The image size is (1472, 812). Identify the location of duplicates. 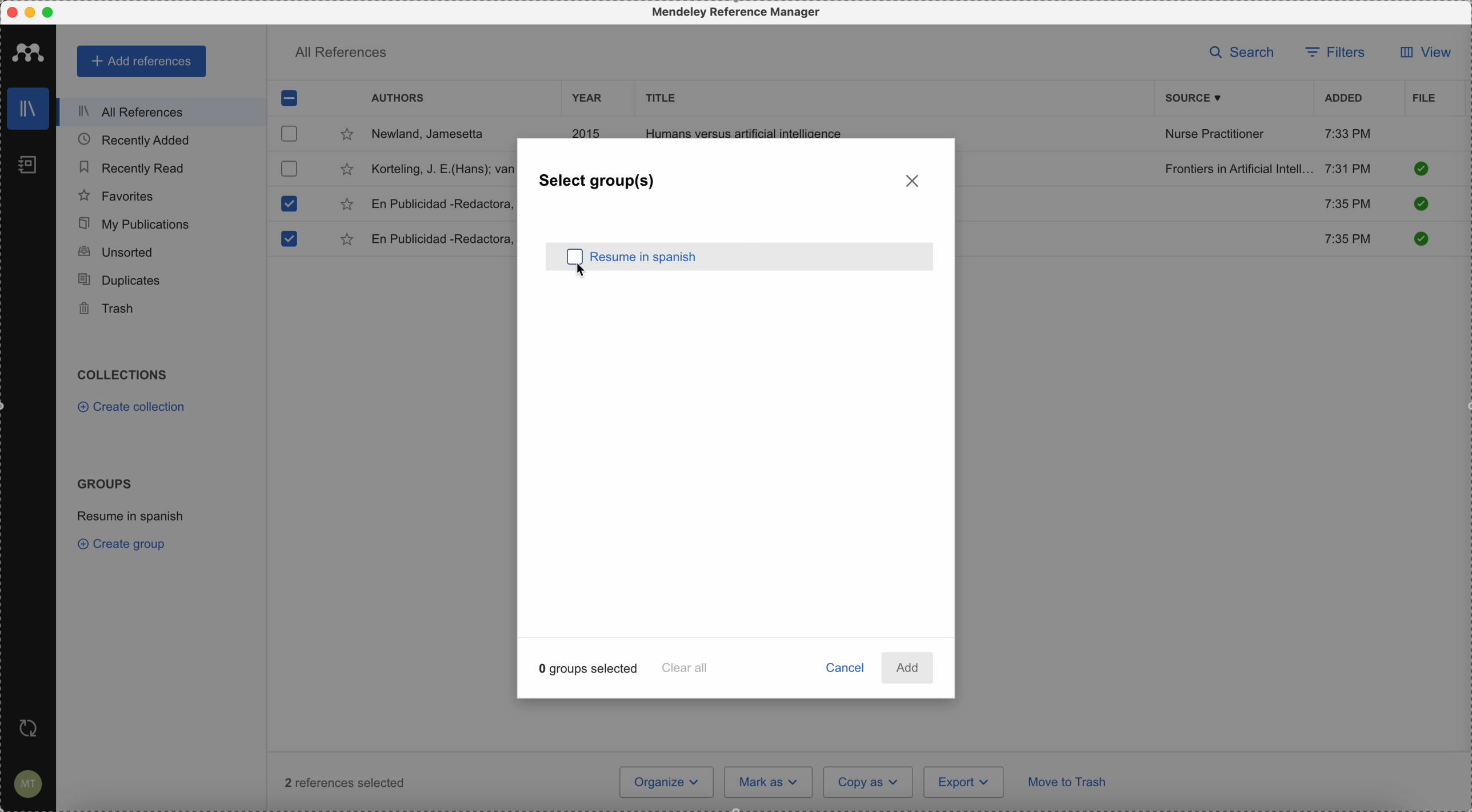
(119, 281).